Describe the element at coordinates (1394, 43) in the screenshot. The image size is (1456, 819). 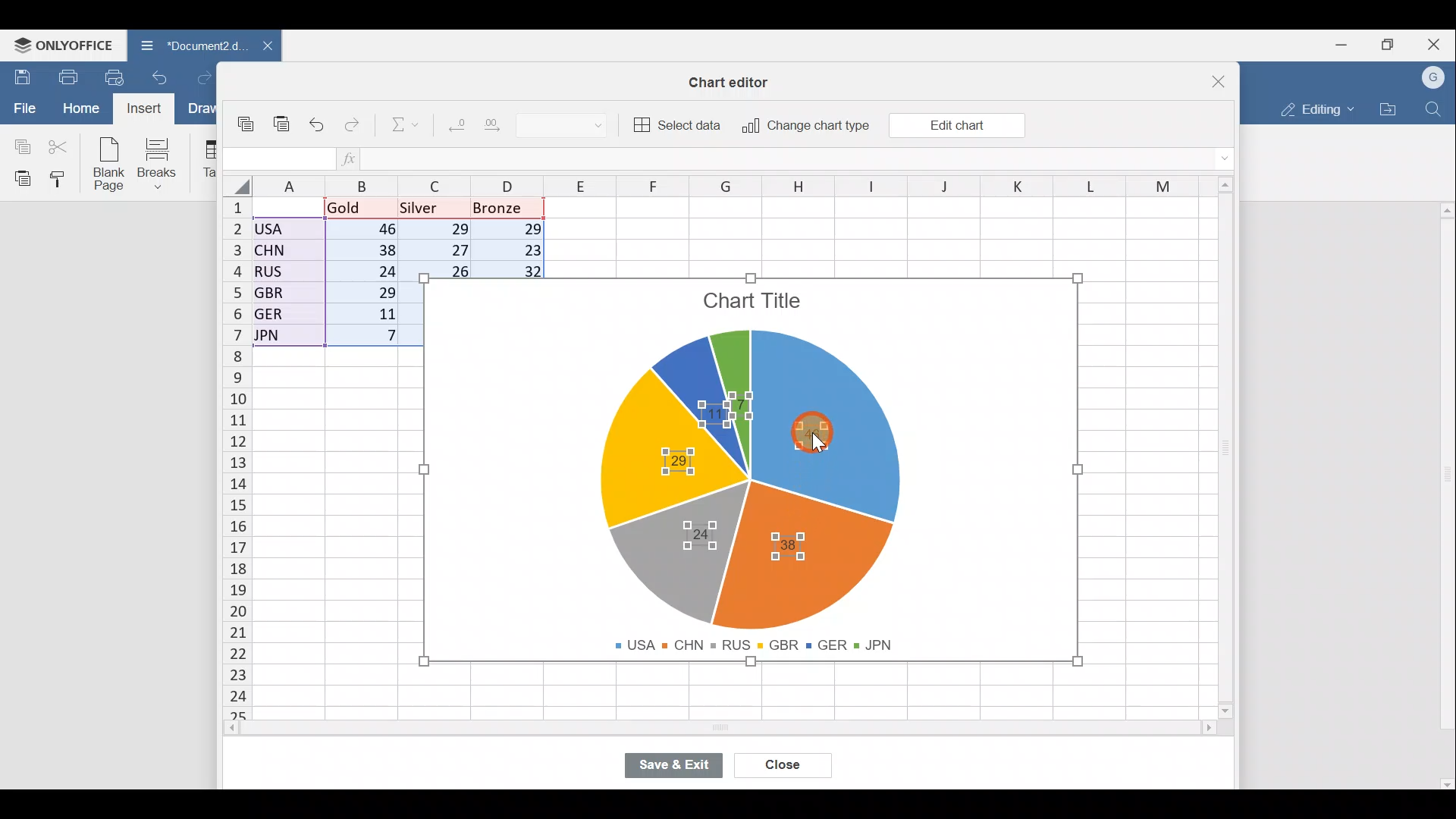
I see `Maximize` at that location.